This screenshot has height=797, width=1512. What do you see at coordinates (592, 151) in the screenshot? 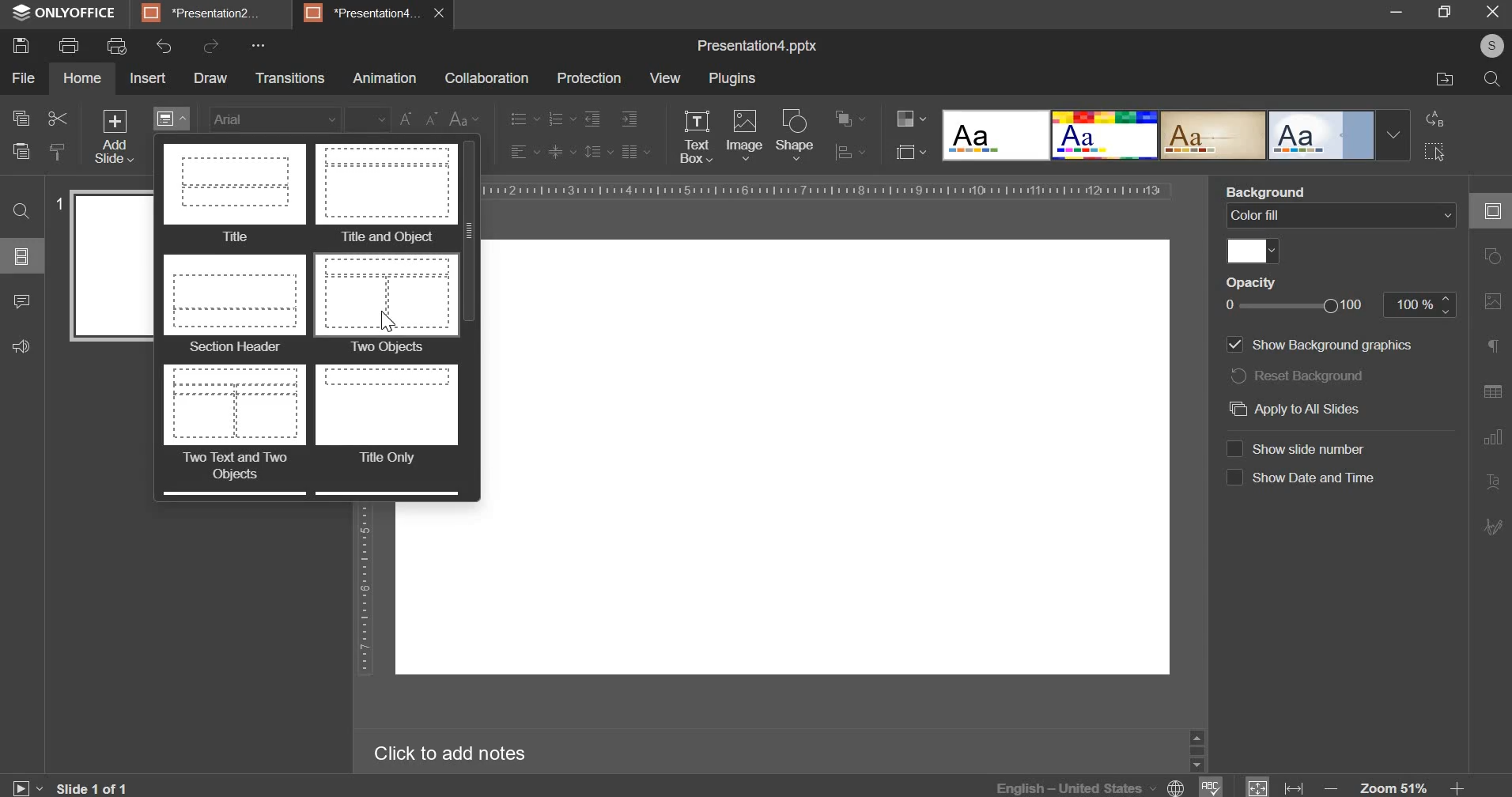
I see `line spacing` at bounding box center [592, 151].